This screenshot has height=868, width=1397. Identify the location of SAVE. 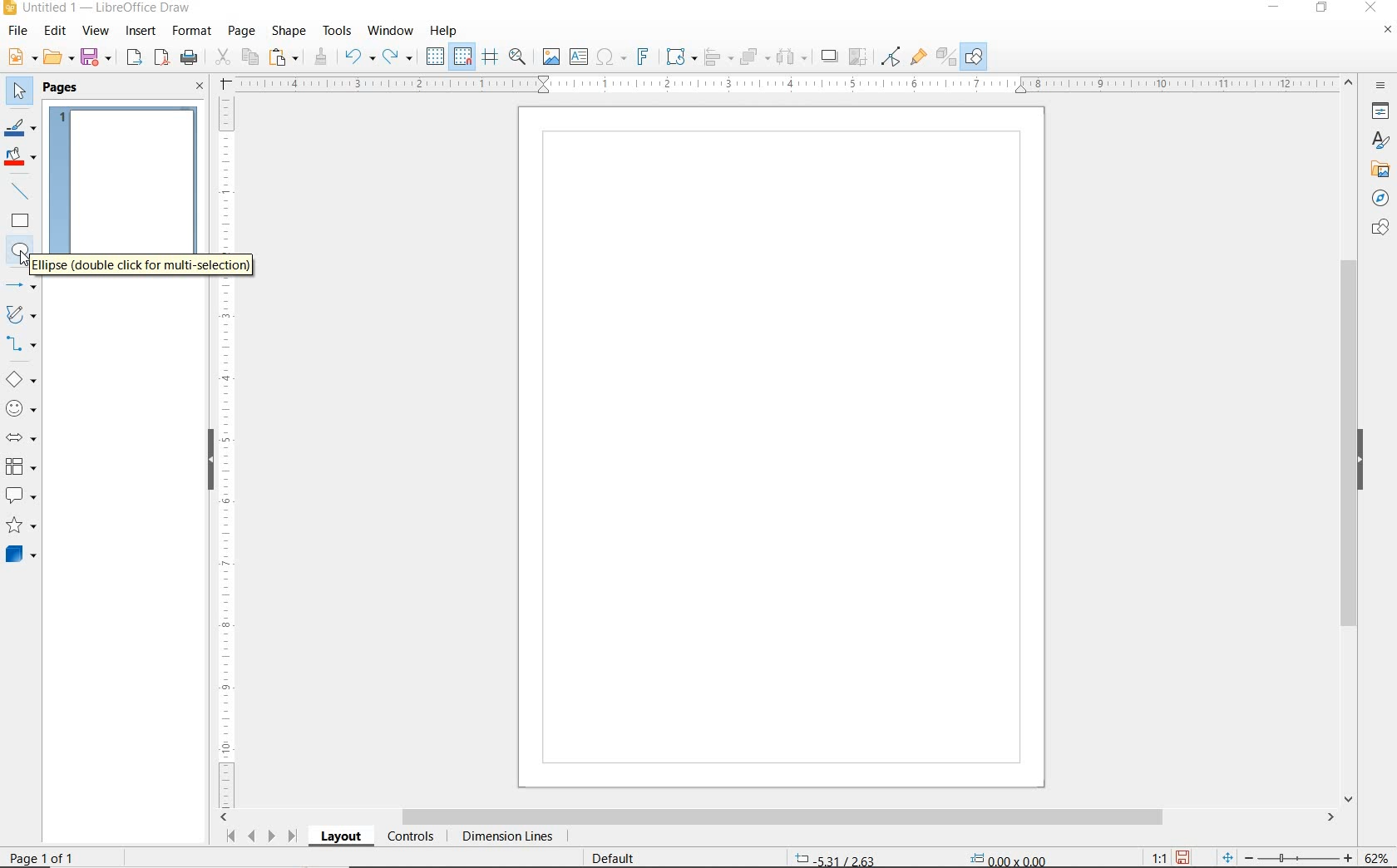
(98, 57).